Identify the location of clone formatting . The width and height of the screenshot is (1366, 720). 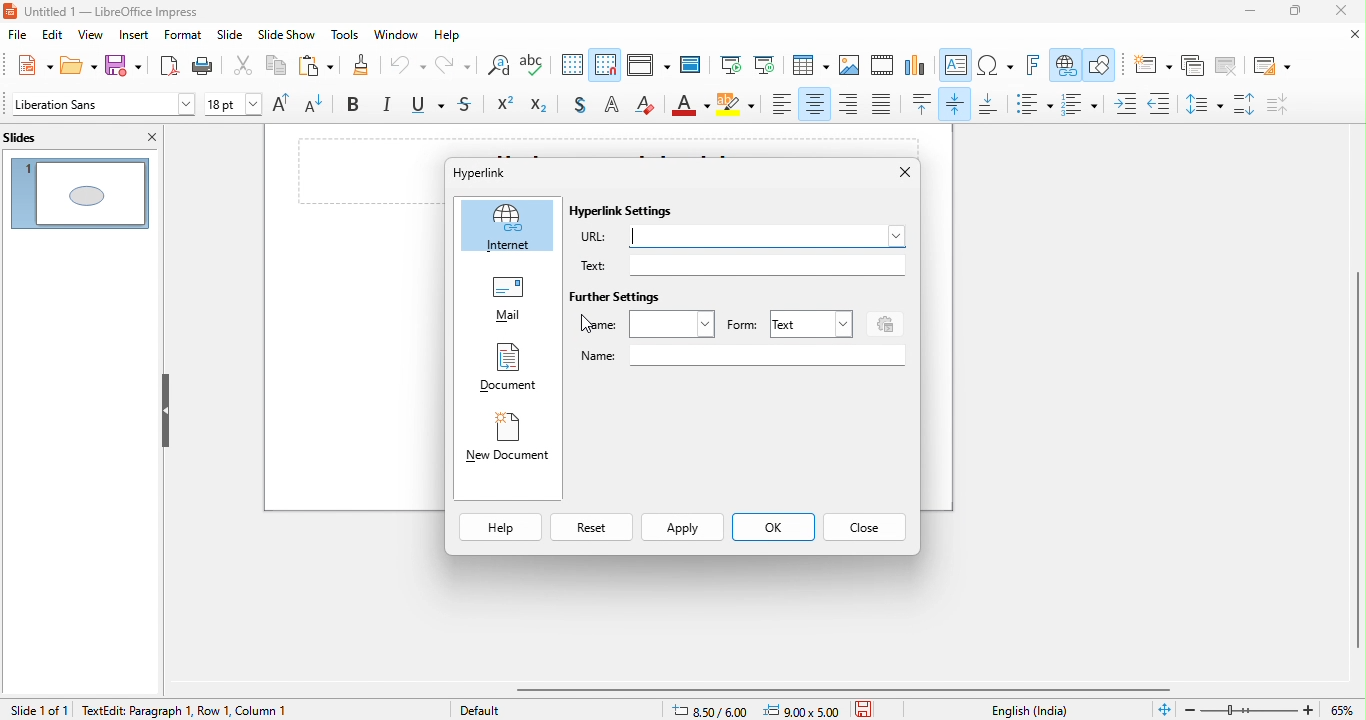
(359, 67).